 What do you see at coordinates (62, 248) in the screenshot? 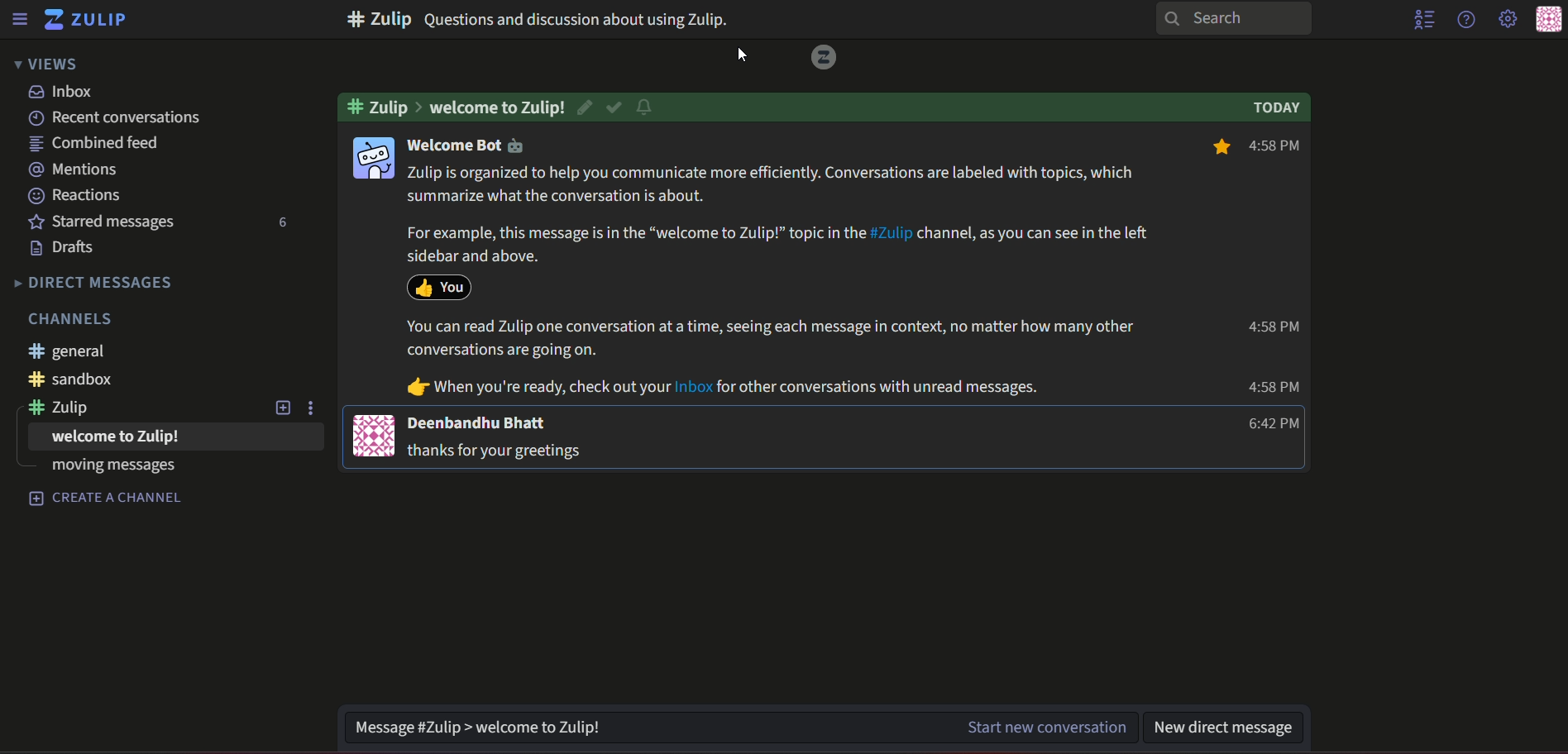
I see `Drafts` at bounding box center [62, 248].